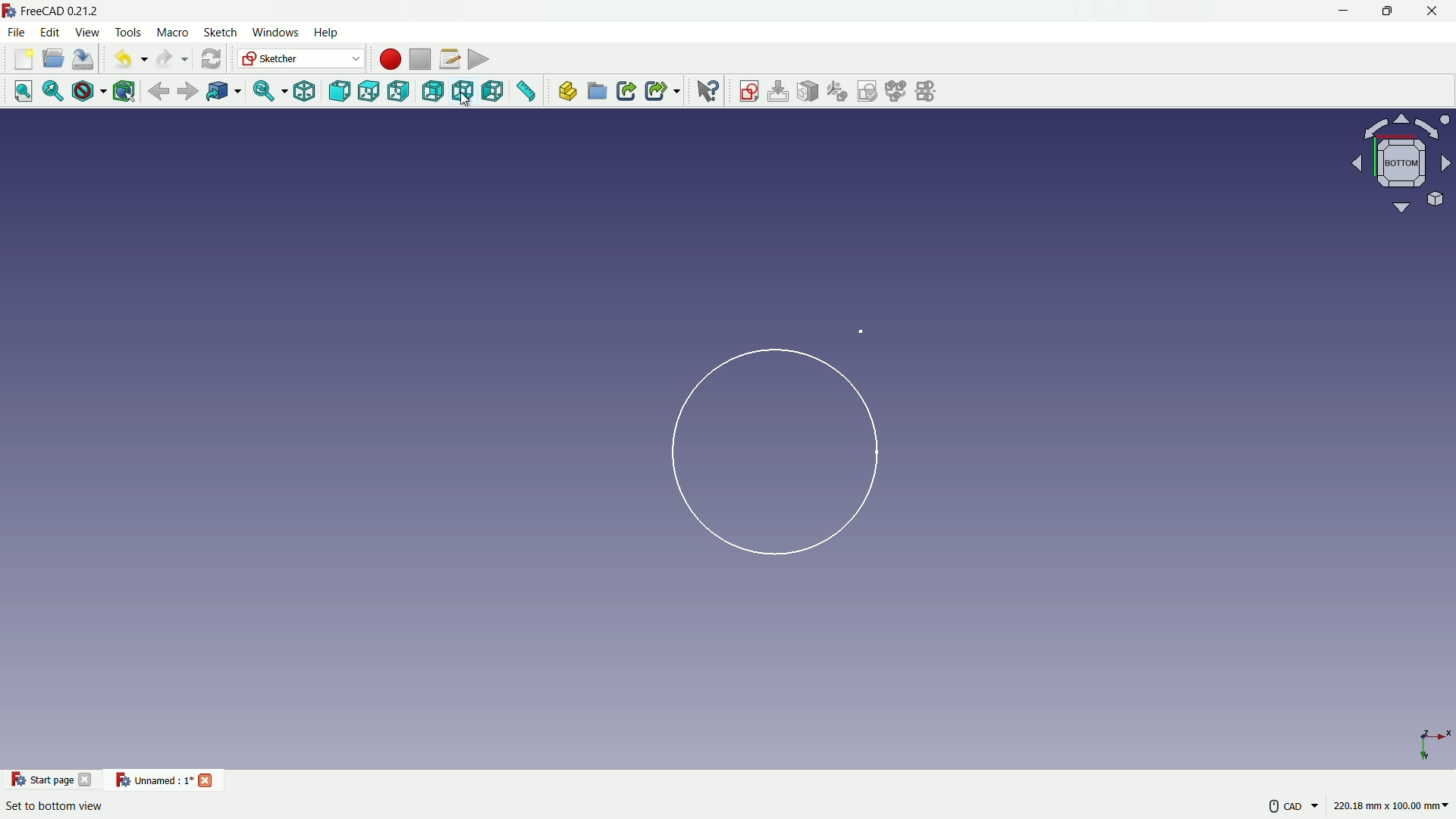 This screenshot has width=1456, height=819. What do you see at coordinates (222, 34) in the screenshot?
I see `sketch menu` at bounding box center [222, 34].